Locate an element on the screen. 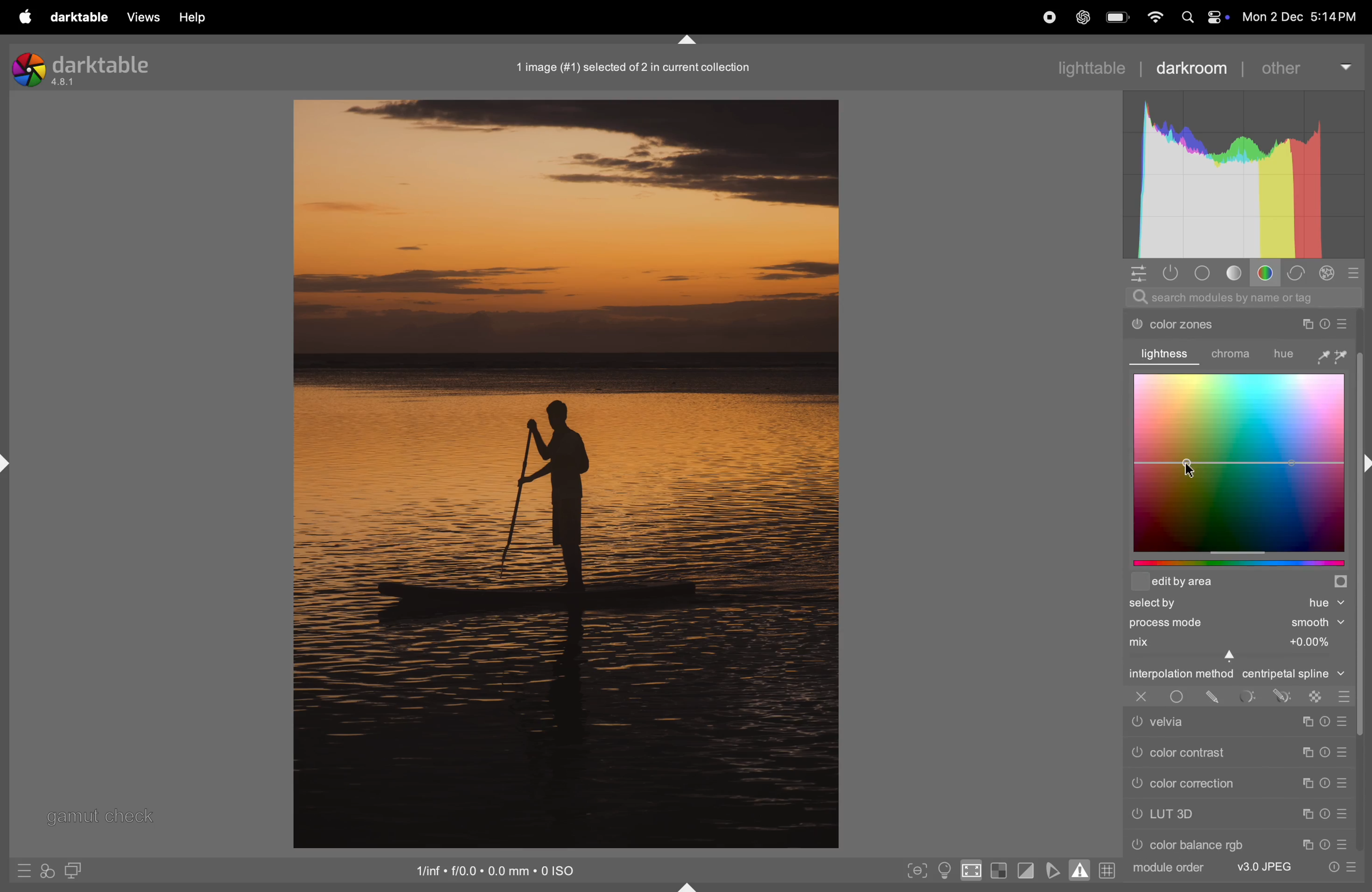  Copy is located at coordinates (1306, 721).